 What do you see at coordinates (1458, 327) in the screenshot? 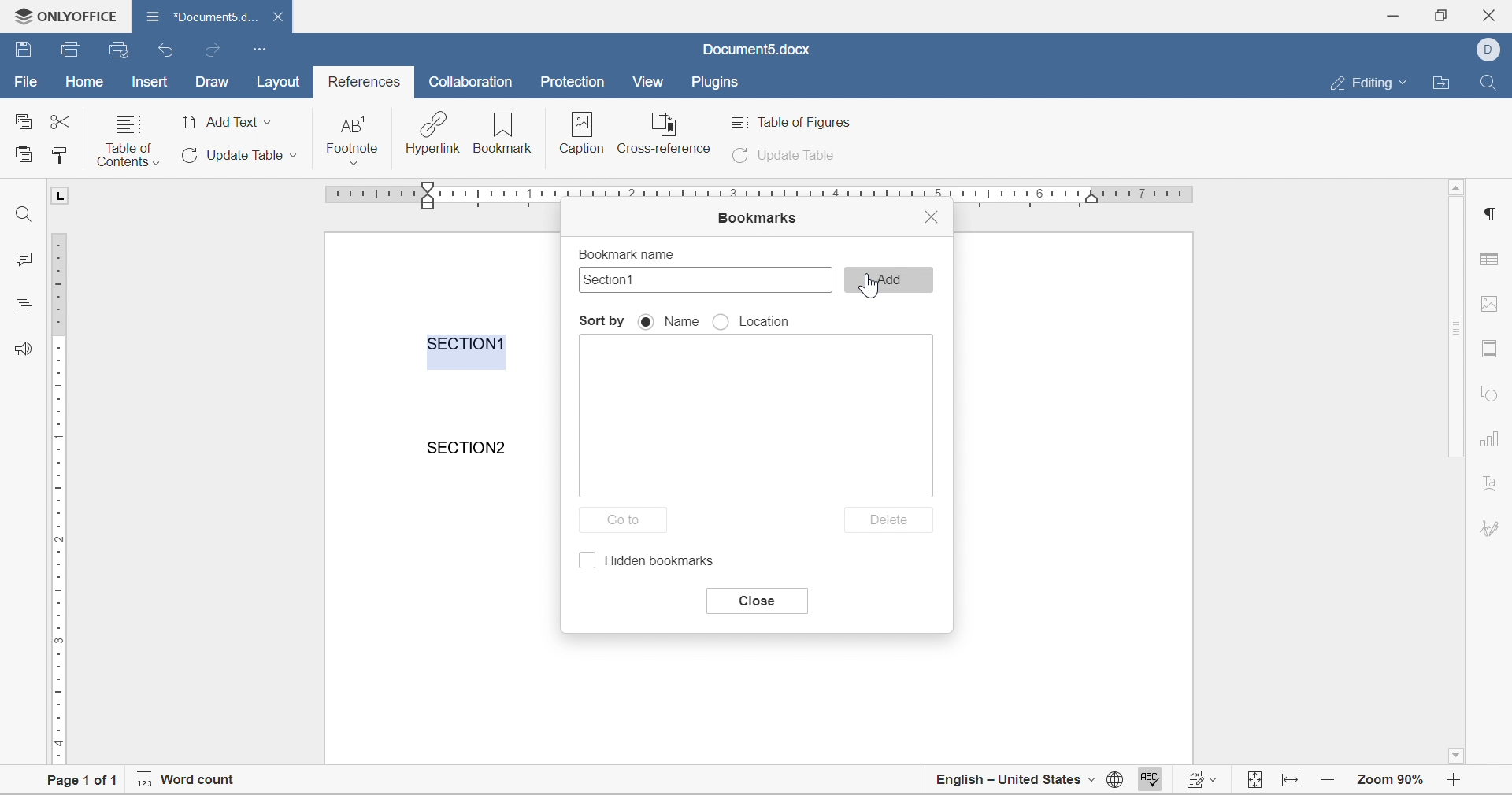
I see `scroll bar` at bounding box center [1458, 327].